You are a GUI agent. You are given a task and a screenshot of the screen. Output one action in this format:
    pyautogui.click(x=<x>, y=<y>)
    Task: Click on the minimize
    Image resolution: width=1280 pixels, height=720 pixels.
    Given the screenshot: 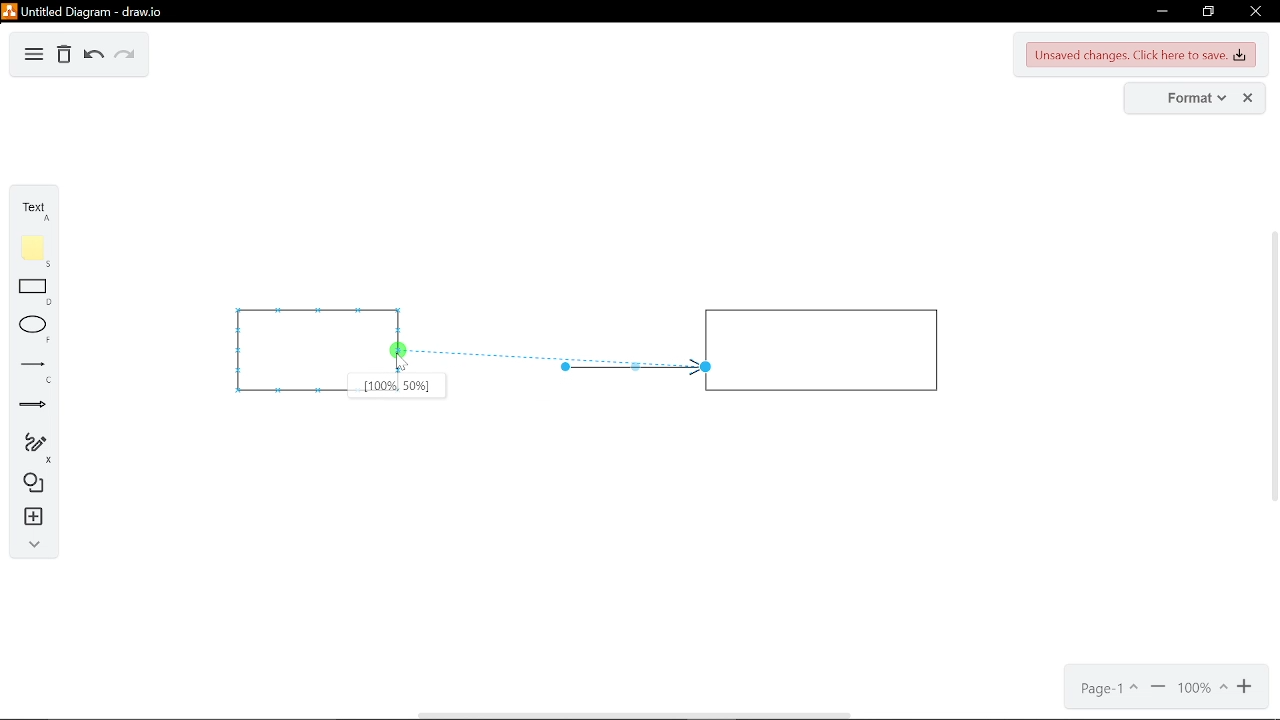 What is the action you would take?
    pyautogui.click(x=1165, y=11)
    